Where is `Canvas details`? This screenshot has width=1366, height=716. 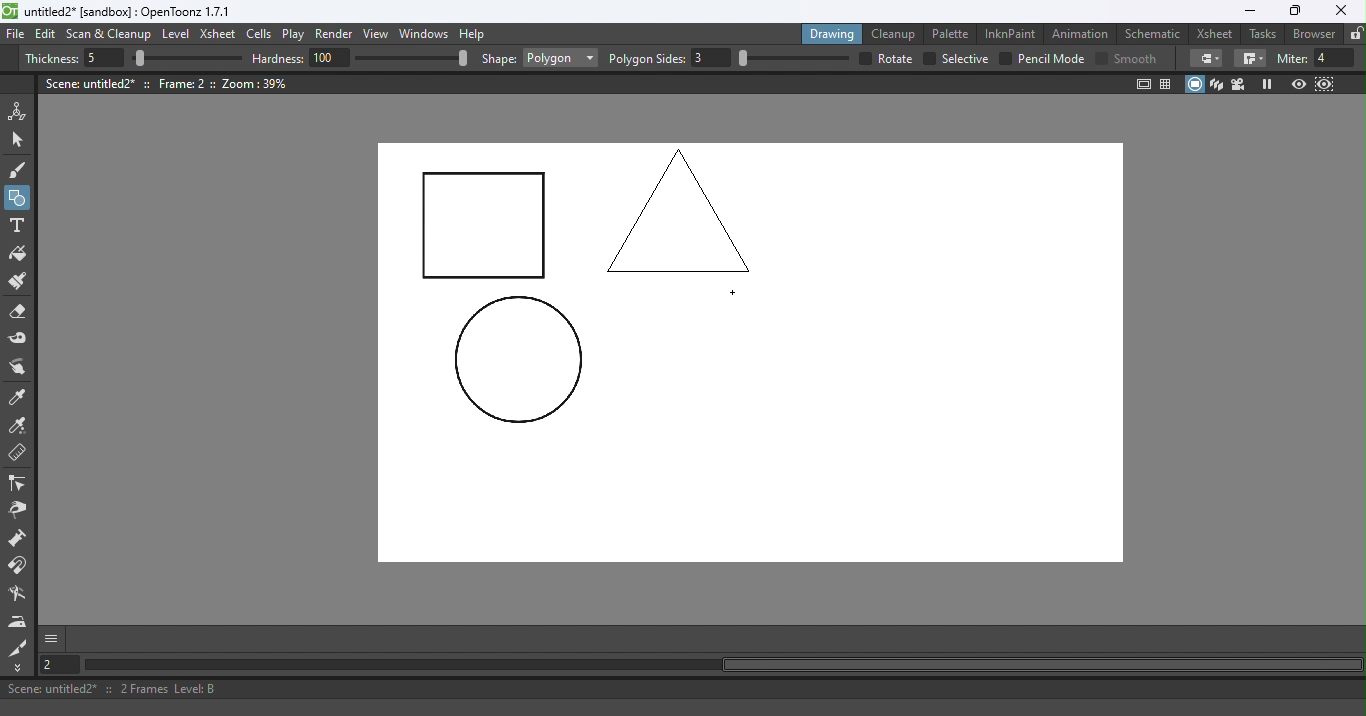
Canvas details is located at coordinates (169, 83).